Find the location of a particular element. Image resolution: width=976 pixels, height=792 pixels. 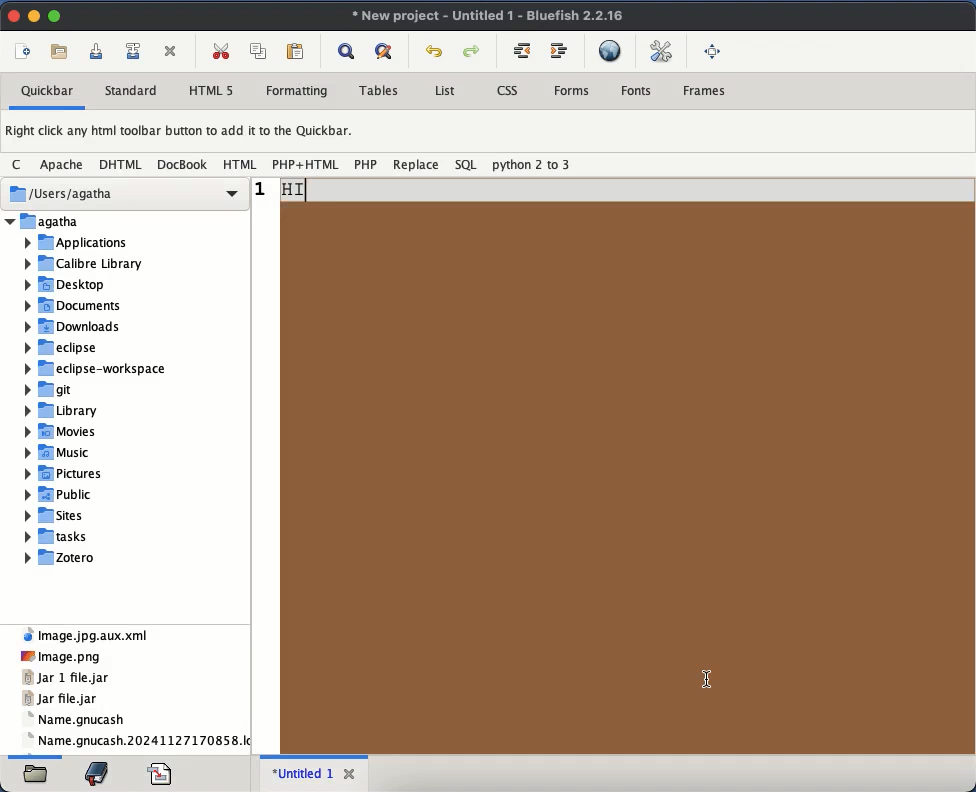

html 5 is located at coordinates (213, 92).